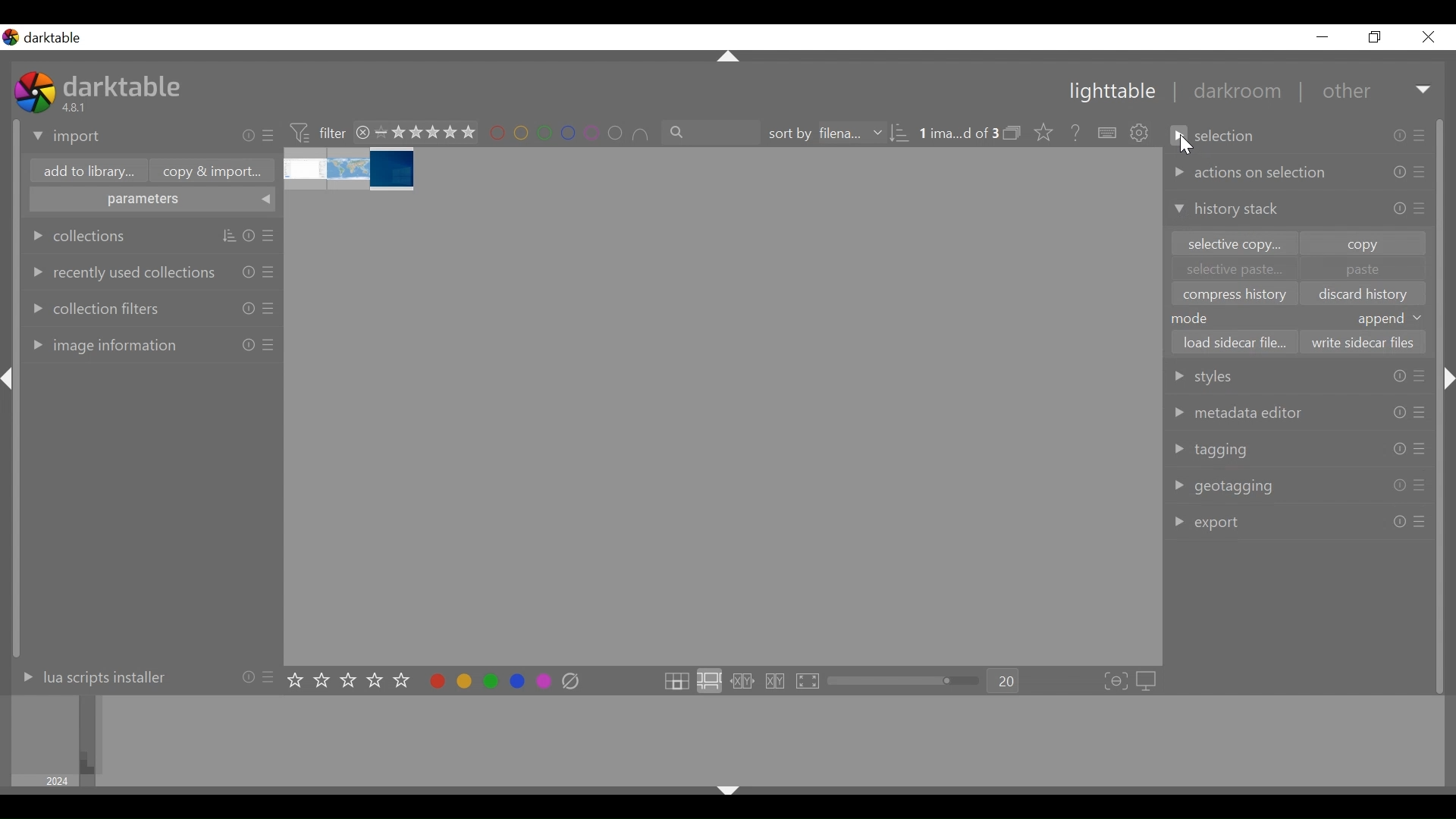 This screenshot has height=819, width=1456. Describe the element at coordinates (58, 38) in the screenshot. I see `darktable` at that location.